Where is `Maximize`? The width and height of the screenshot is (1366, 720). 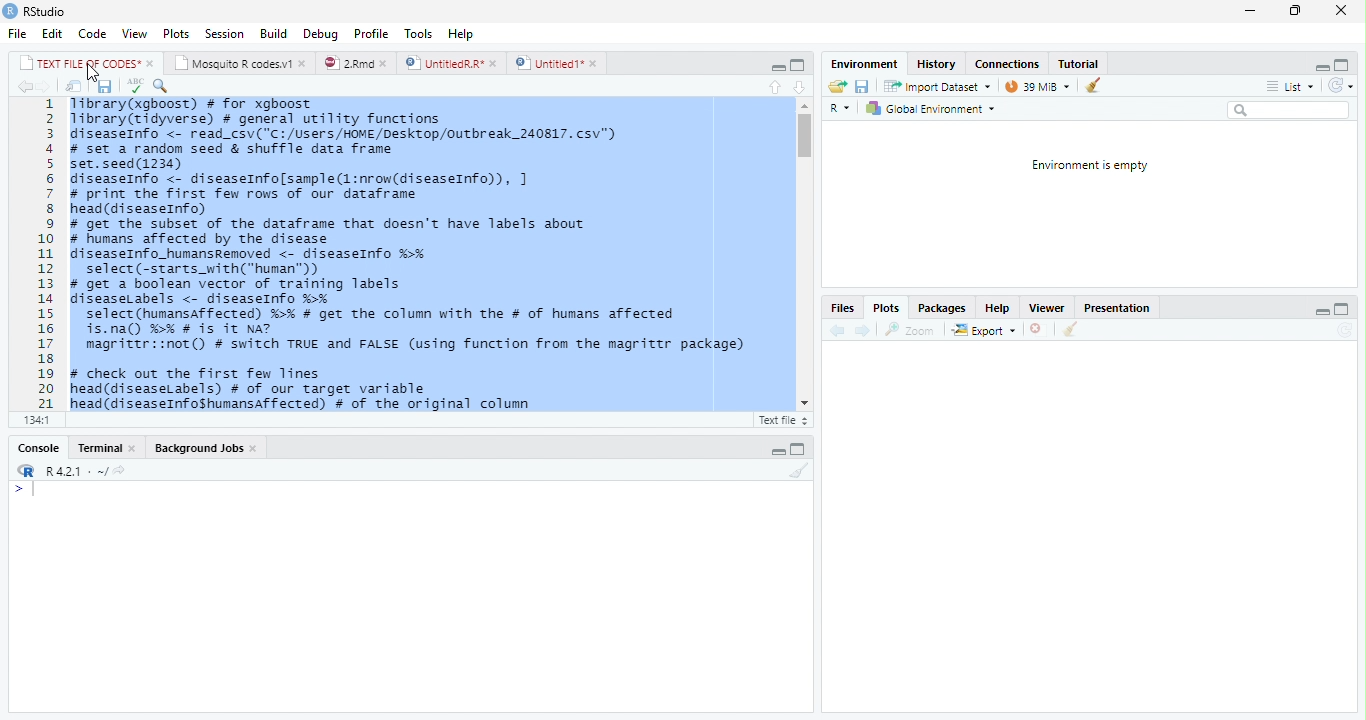 Maximize is located at coordinates (801, 447).